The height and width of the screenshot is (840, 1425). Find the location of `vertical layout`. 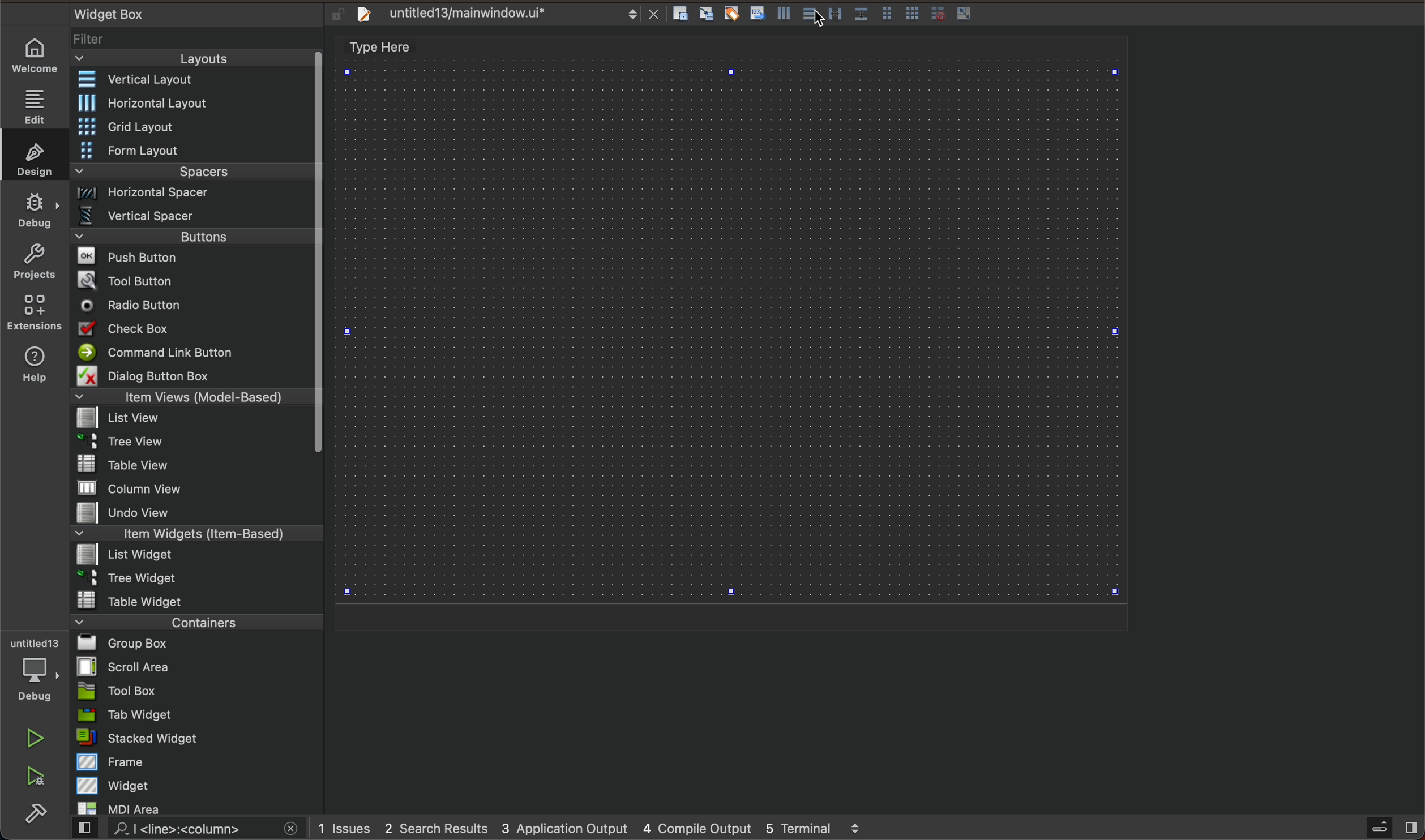

vertical layout is located at coordinates (812, 16).